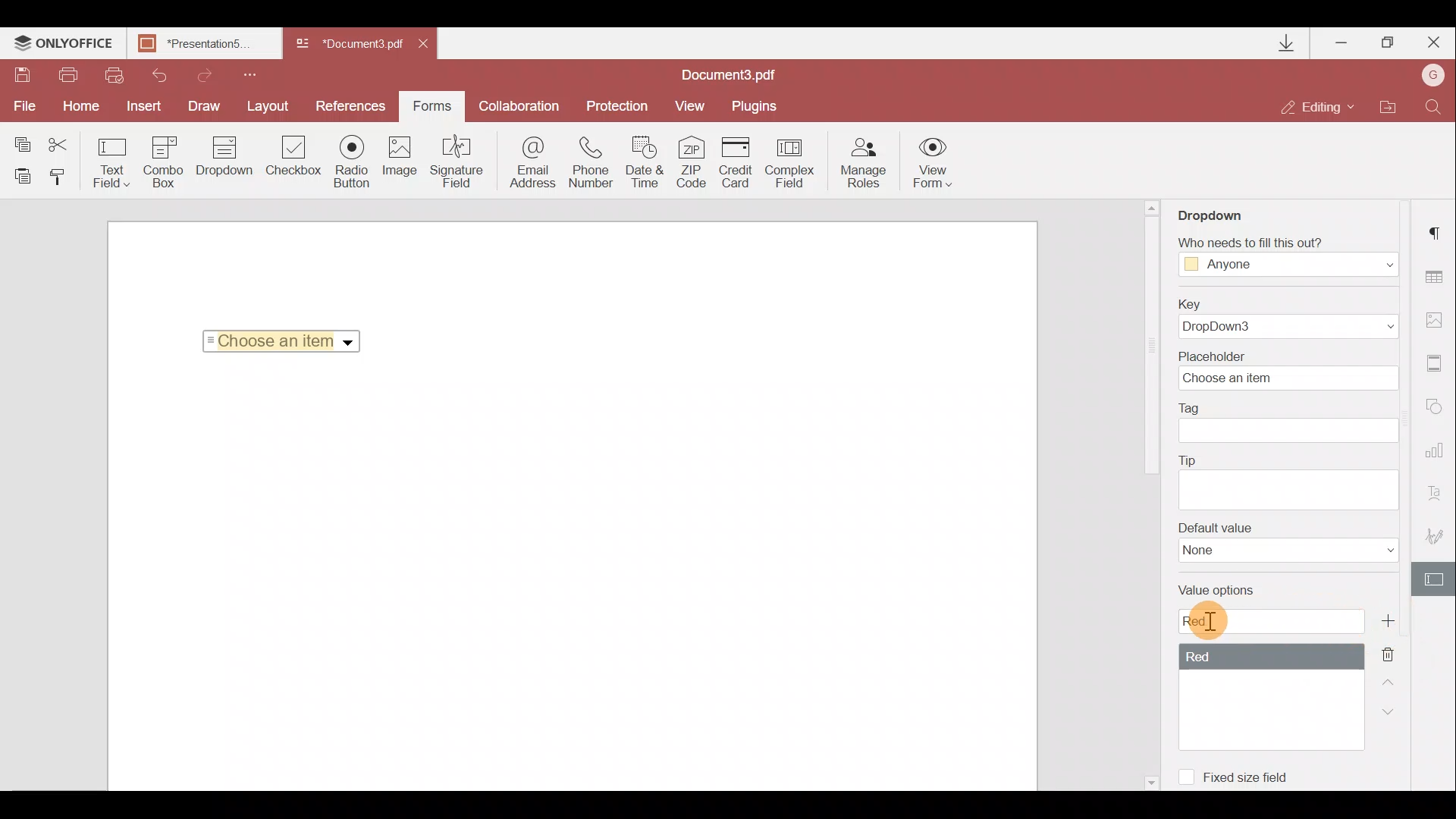  What do you see at coordinates (1266, 667) in the screenshot?
I see `Value options` at bounding box center [1266, 667].